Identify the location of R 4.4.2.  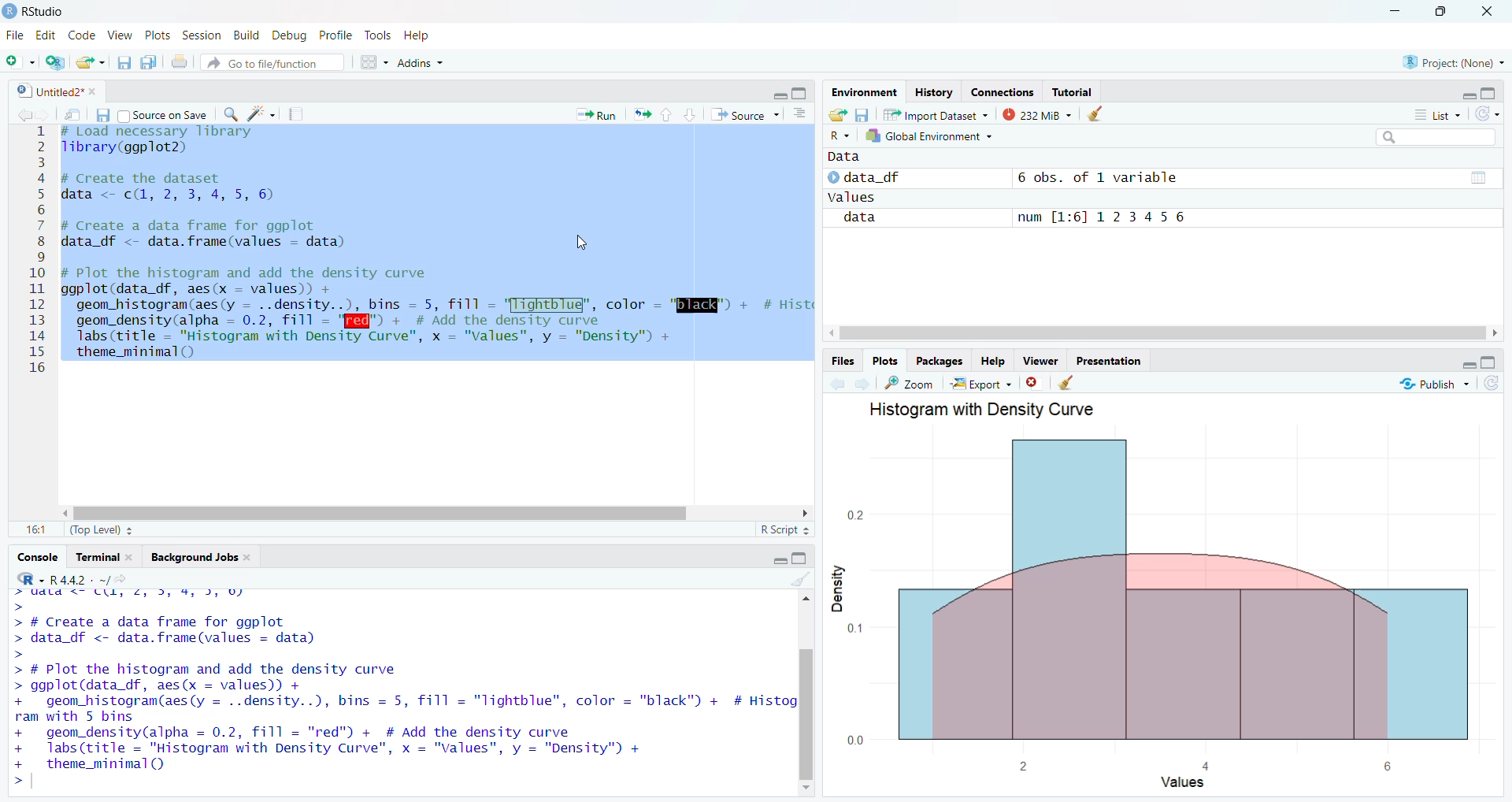
(50, 578).